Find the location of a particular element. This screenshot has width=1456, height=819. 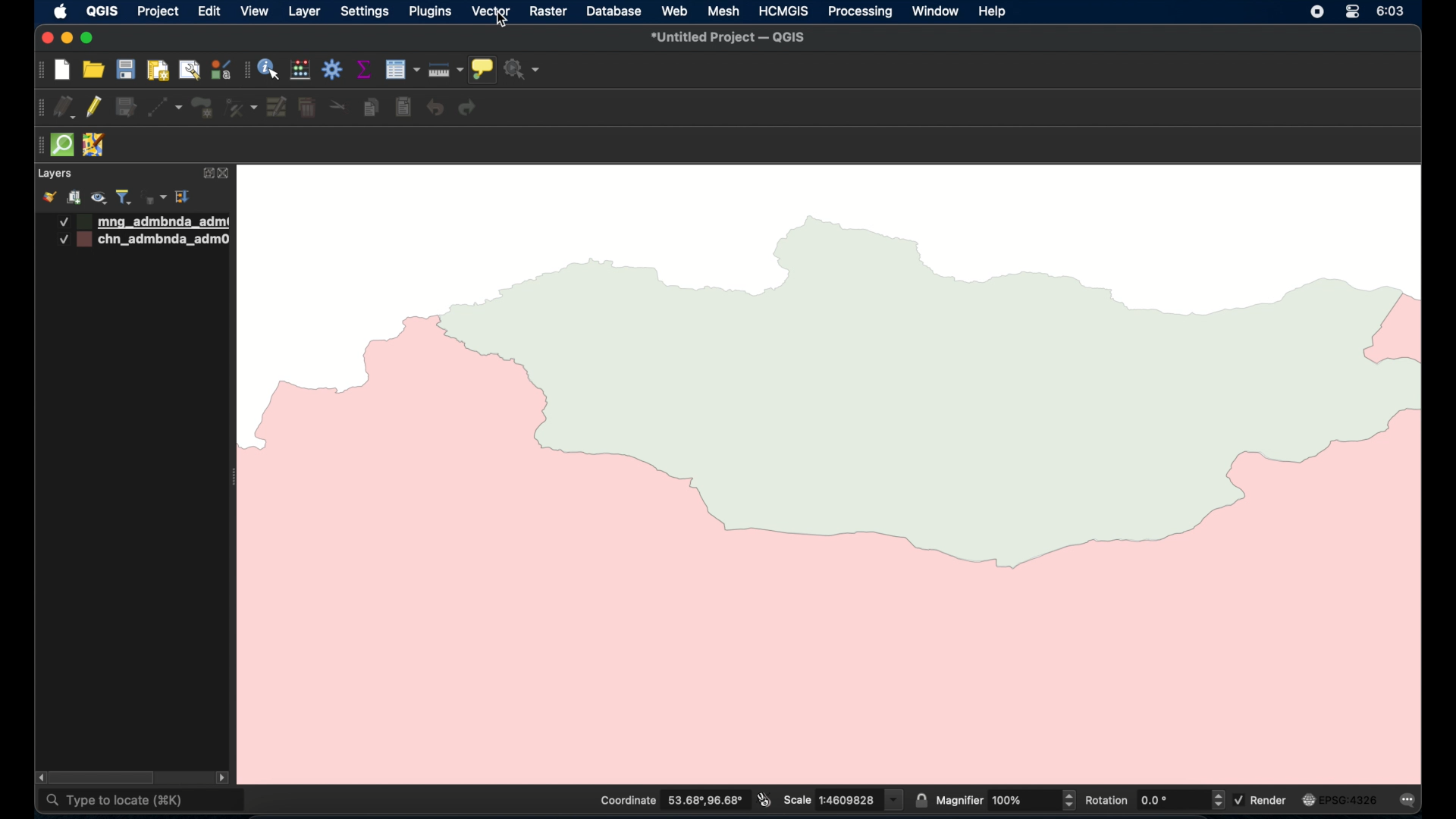

plugins is located at coordinates (429, 11).